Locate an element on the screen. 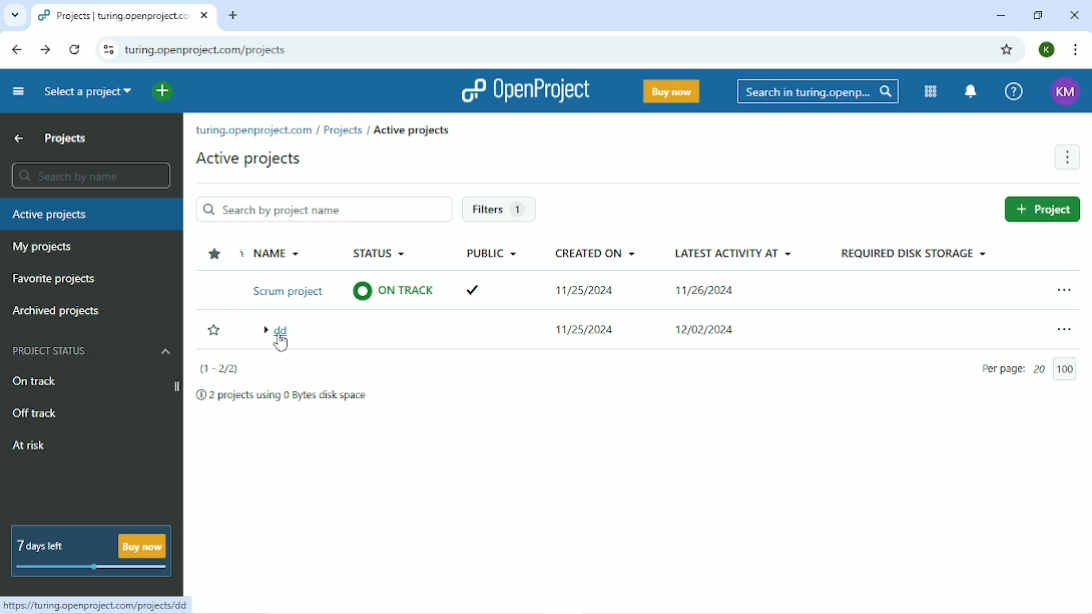 Image resolution: width=1092 pixels, height=614 pixels. Off track is located at coordinates (34, 412).